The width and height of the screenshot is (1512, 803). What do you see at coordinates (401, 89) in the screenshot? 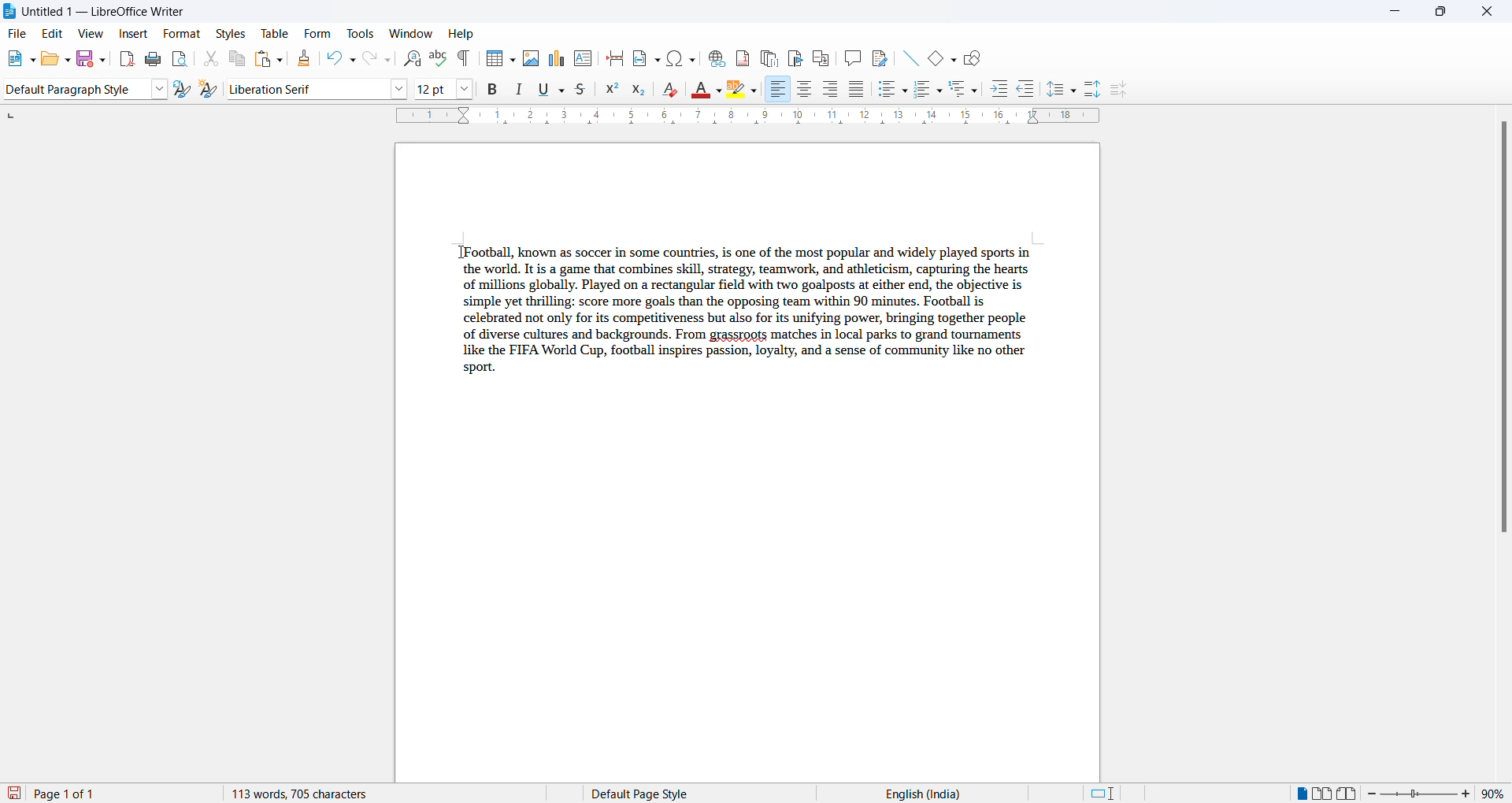
I see `font options` at bounding box center [401, 89].